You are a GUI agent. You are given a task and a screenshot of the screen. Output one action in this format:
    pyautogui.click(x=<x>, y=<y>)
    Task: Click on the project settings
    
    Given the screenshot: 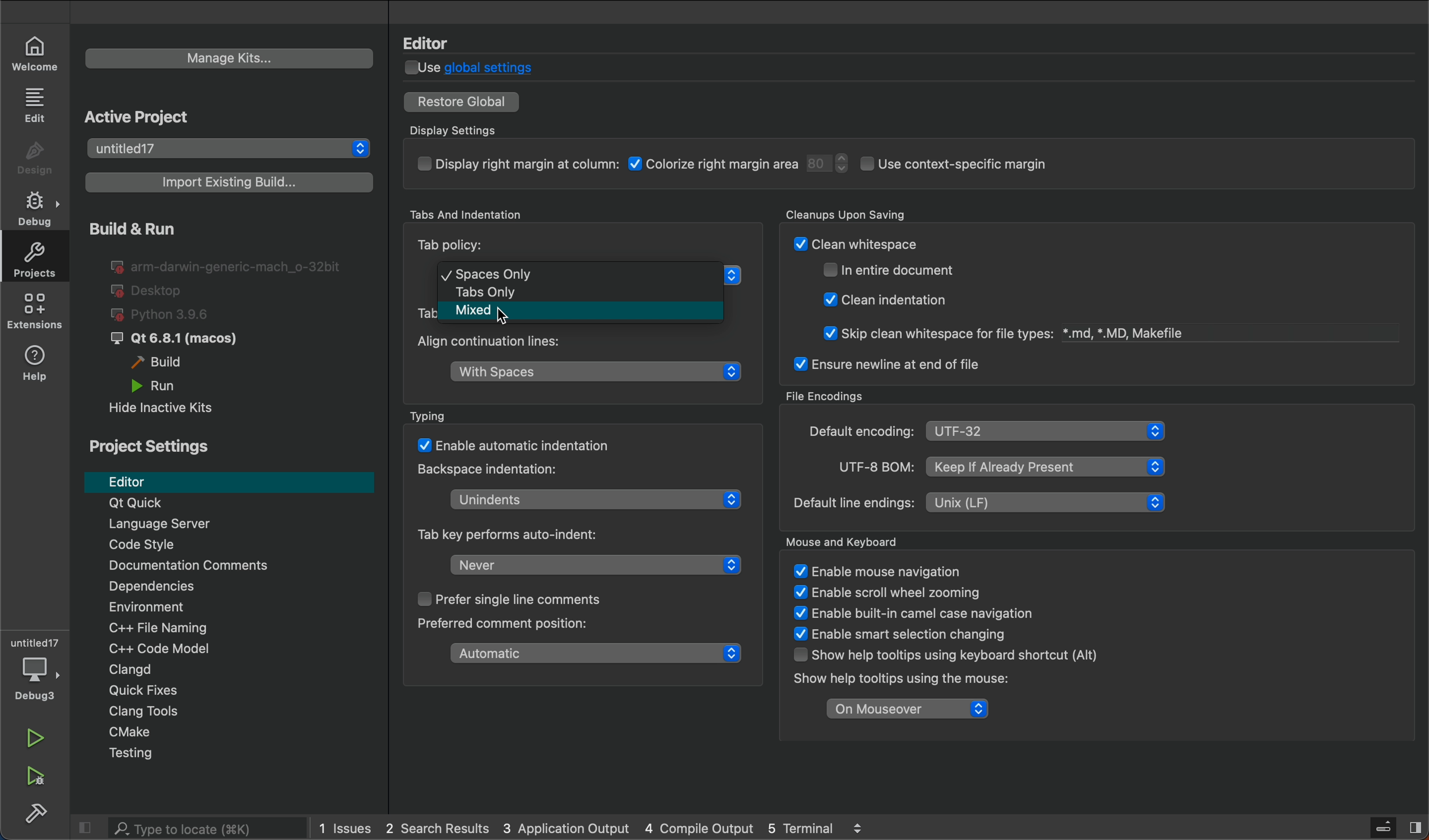 What is the action you would take?
    pyautogui.click(x=150, y=447)
    